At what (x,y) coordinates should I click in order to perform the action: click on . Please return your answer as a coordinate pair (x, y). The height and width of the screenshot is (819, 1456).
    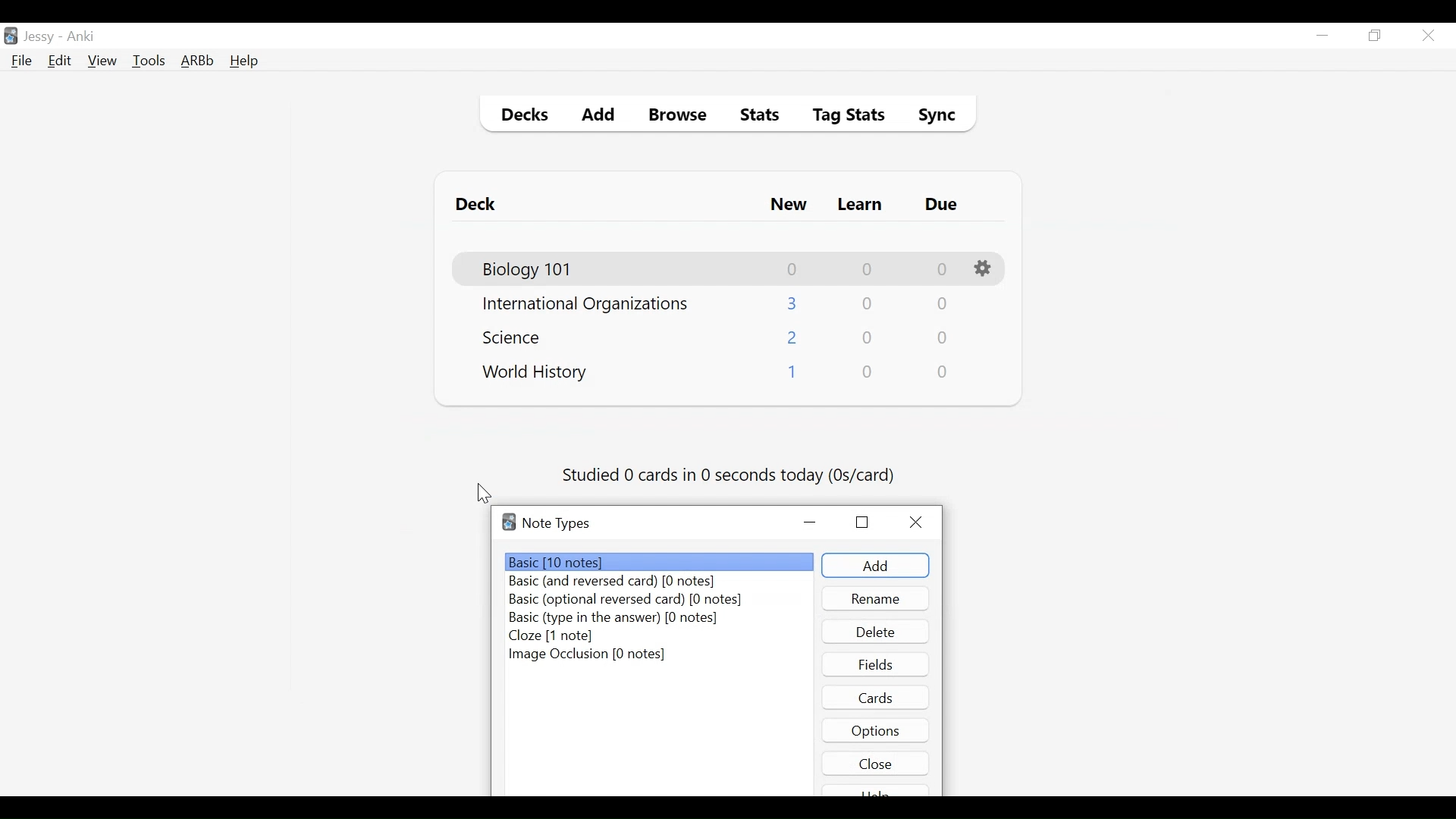
    Looking at the image, I should click on (875, 566).